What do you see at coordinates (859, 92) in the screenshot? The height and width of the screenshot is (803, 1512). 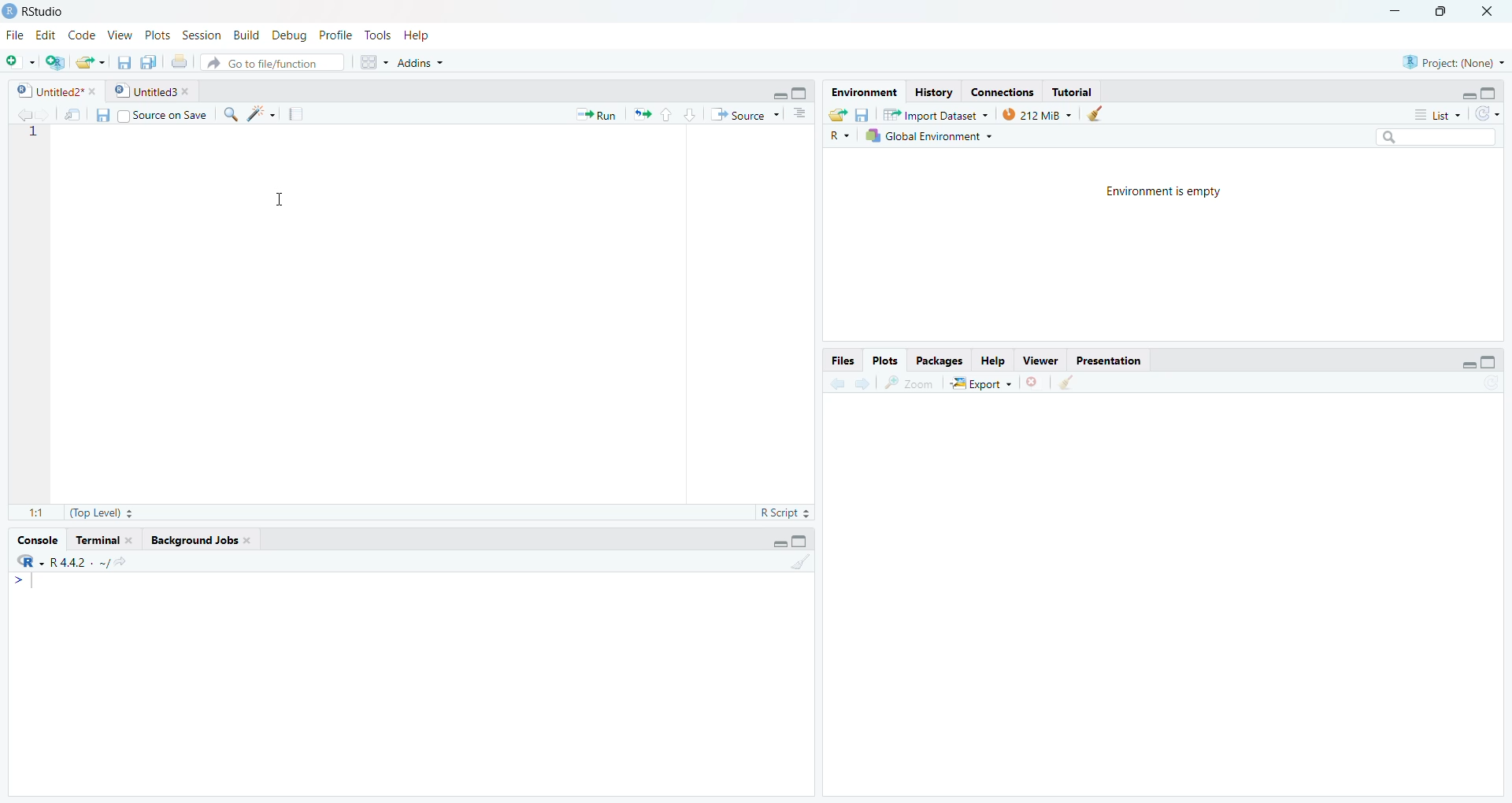 I see `environment` at bounding box center [859, 92].